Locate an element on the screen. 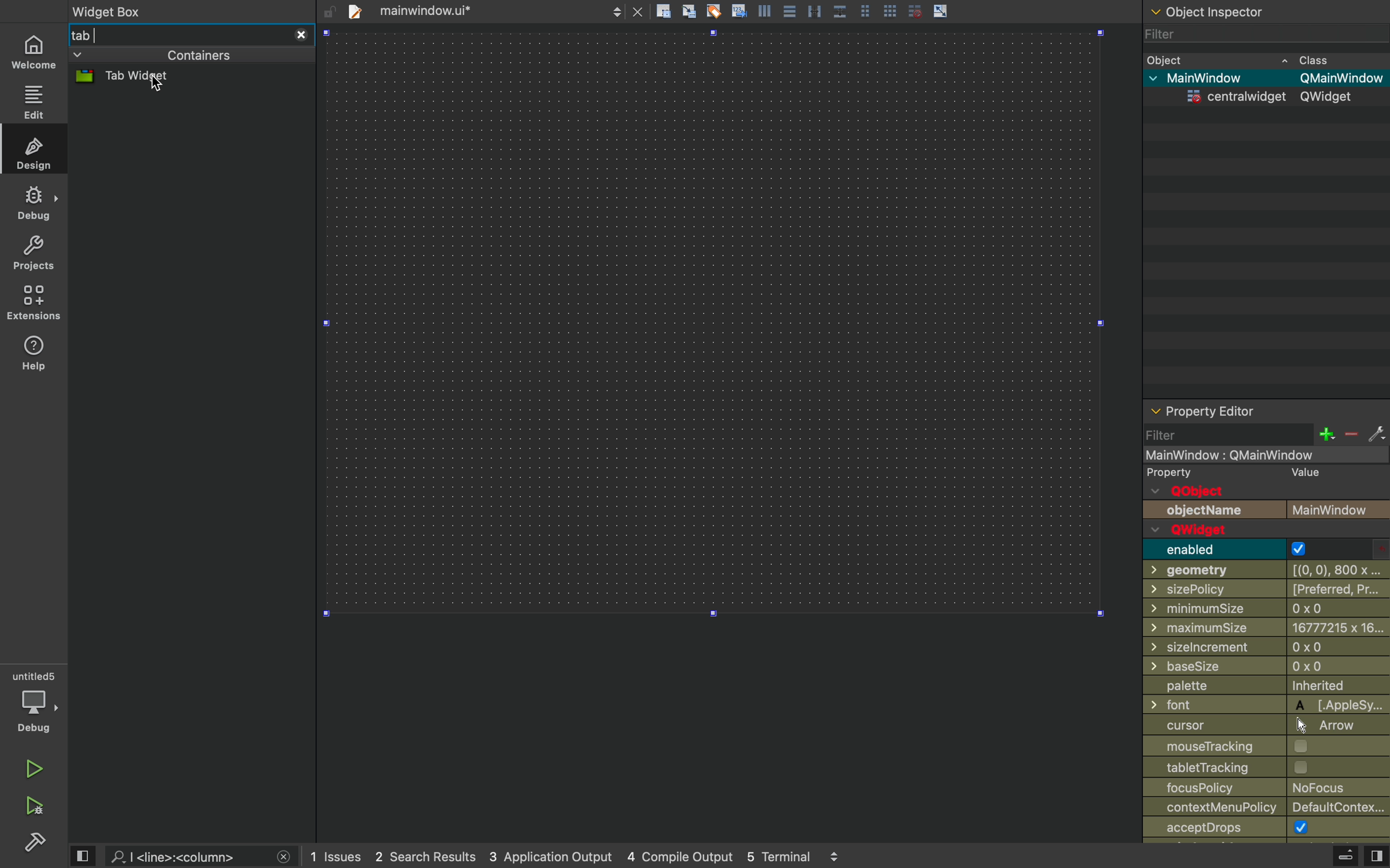 This screenshot has height=868, width=1390. logs is located at coordinates (577, 857).